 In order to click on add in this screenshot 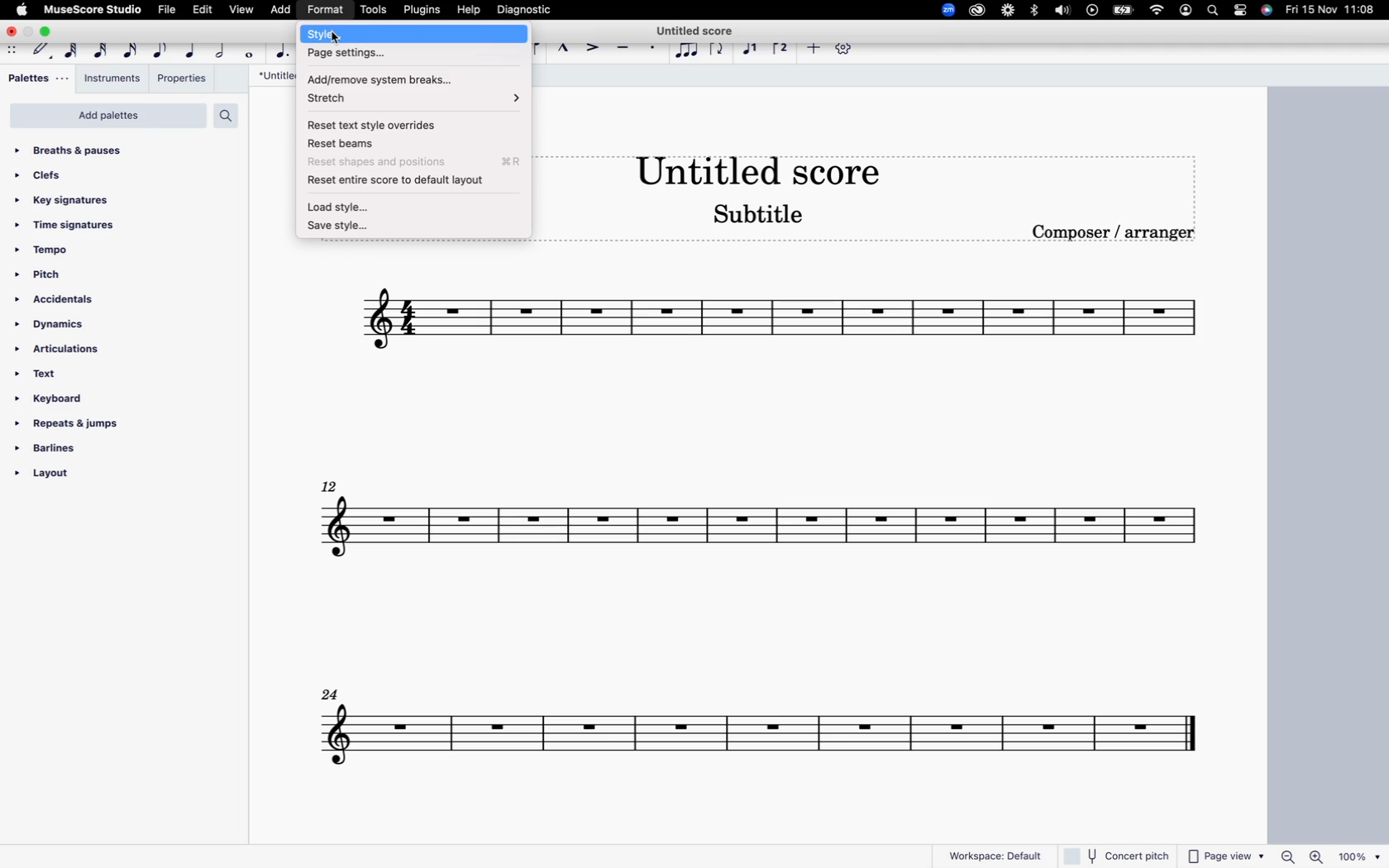, I will do `click(283, 11)`.